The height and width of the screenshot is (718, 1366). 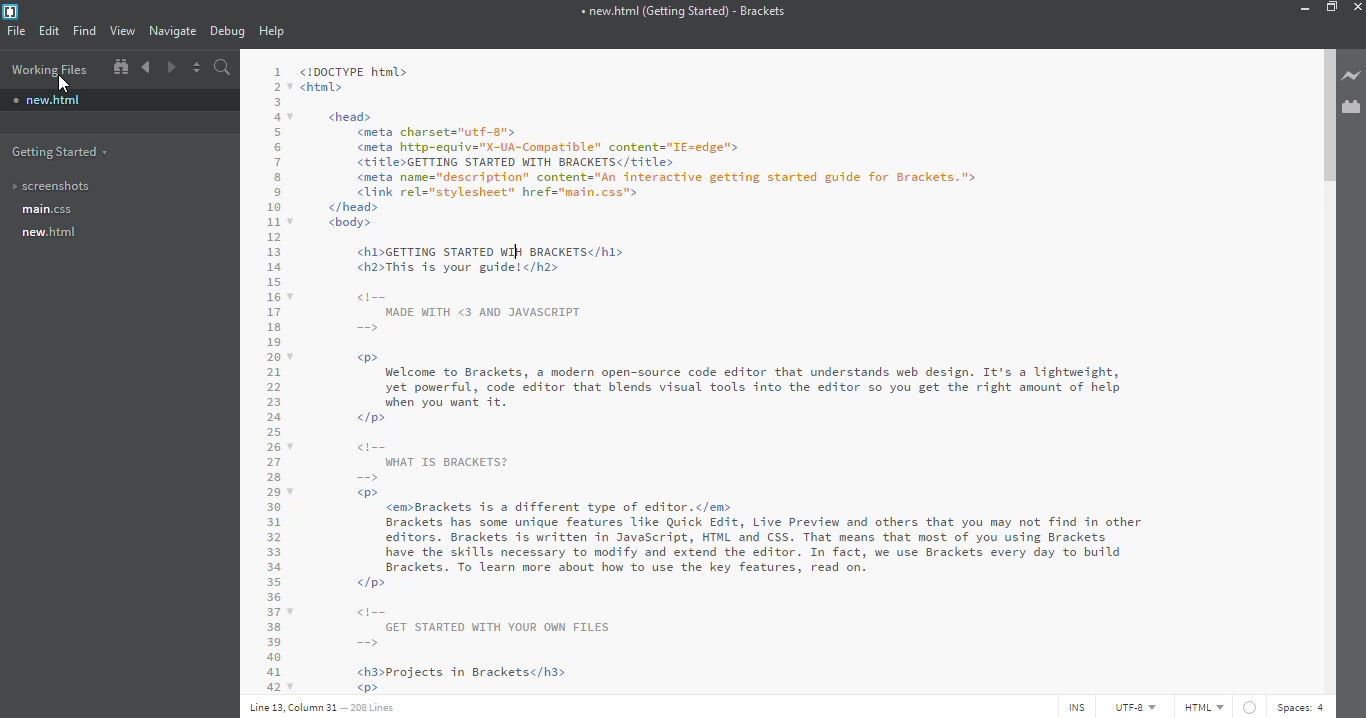 What do you see at coordinates (122, 31) in the screenshot?
I see `view` at bounding box center [122, 31].